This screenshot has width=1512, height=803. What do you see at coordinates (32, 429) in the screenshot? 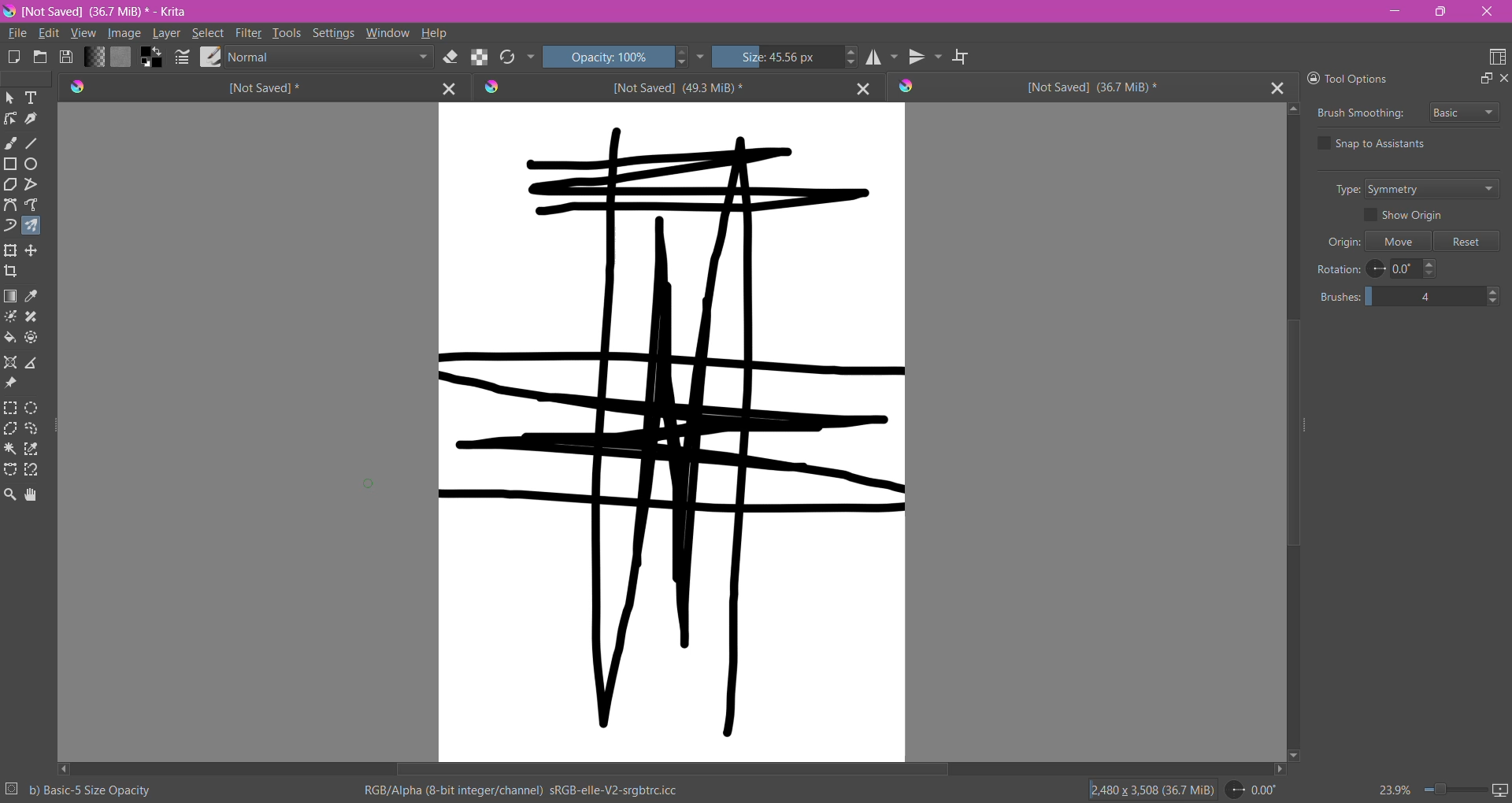
I see `Freehand Selection Tool` at bounding box center [32, 429].